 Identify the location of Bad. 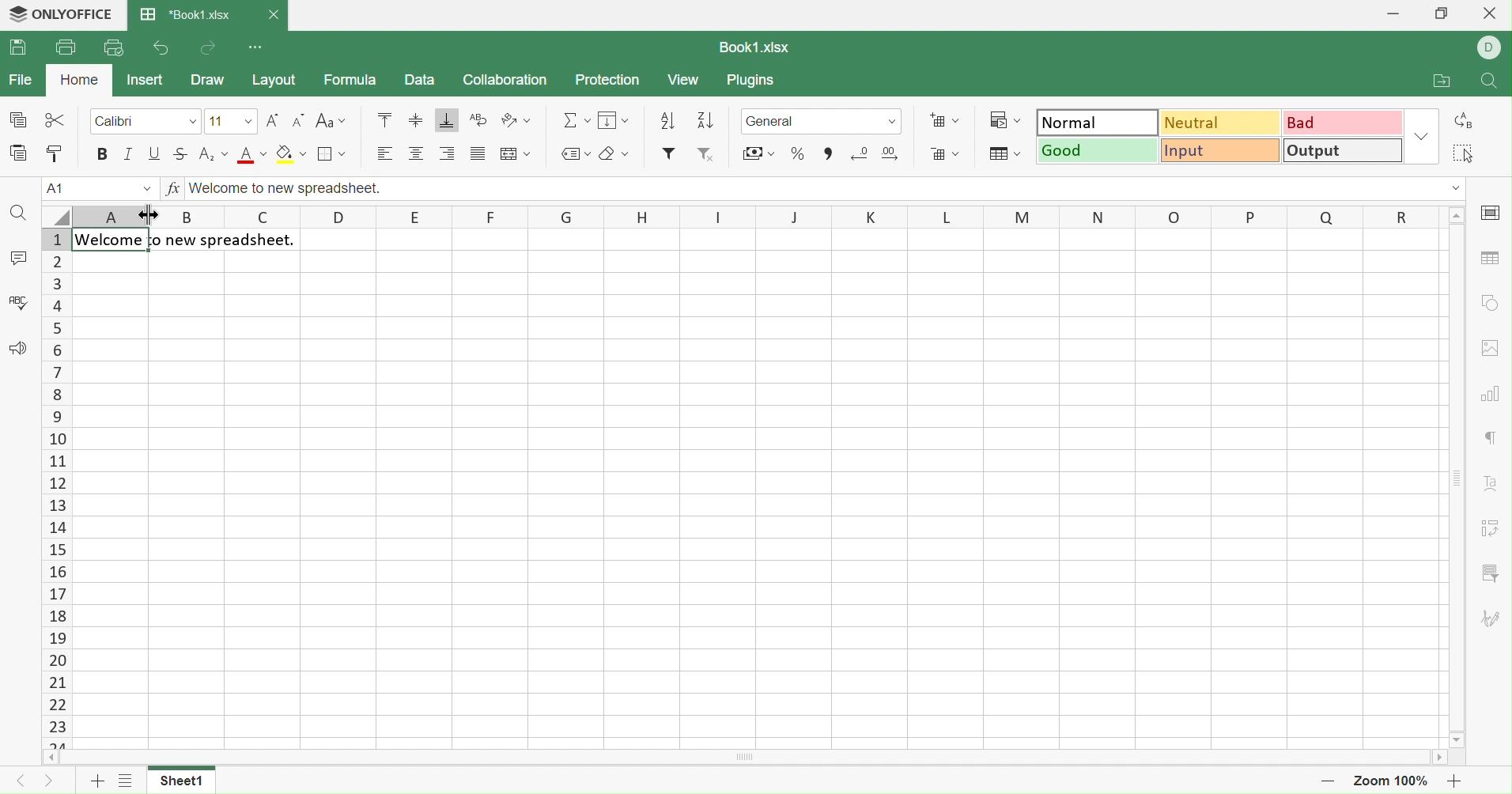
(1345, 121).